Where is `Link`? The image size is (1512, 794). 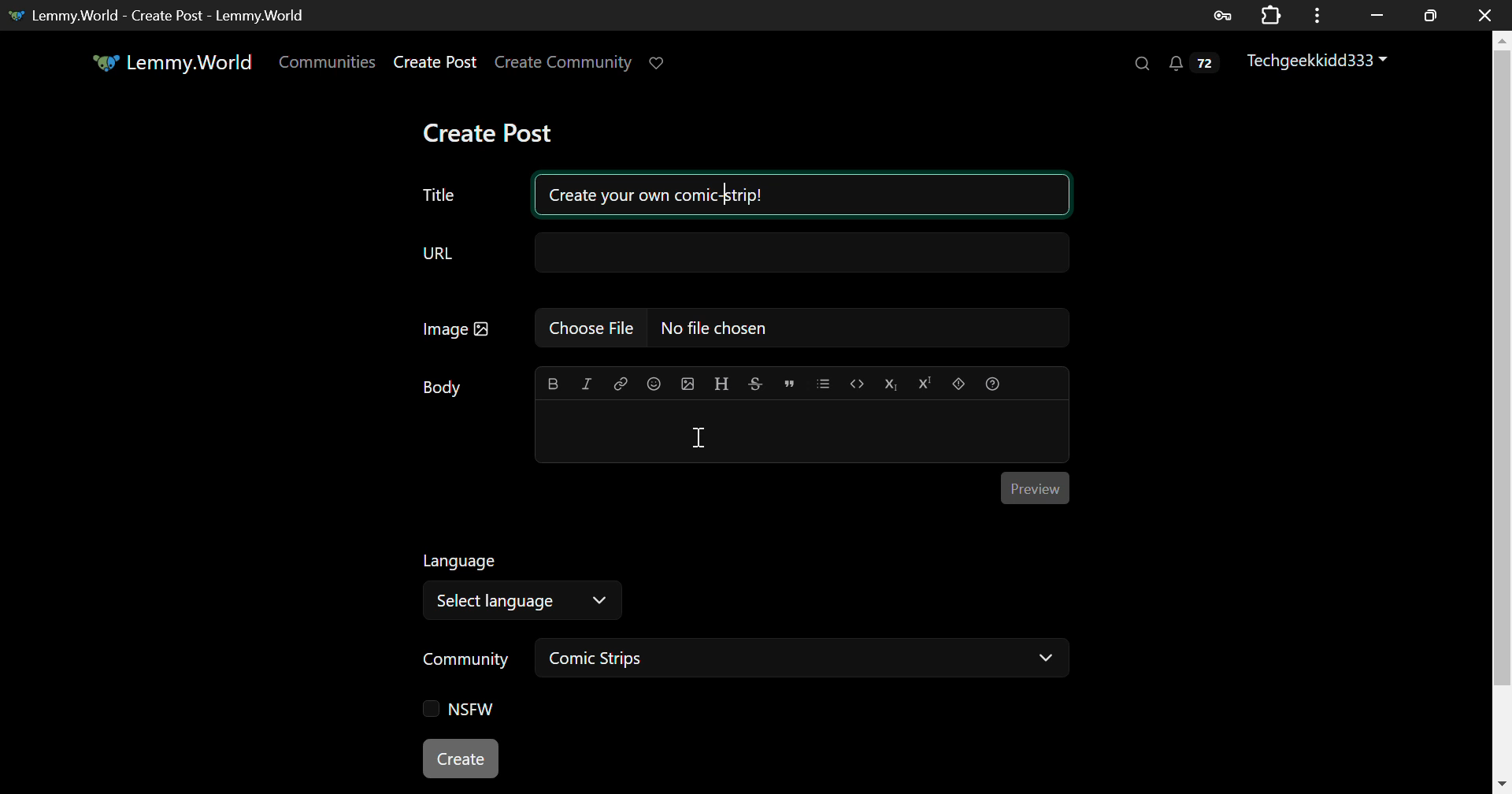 Link is located at coordinates (621, 384).